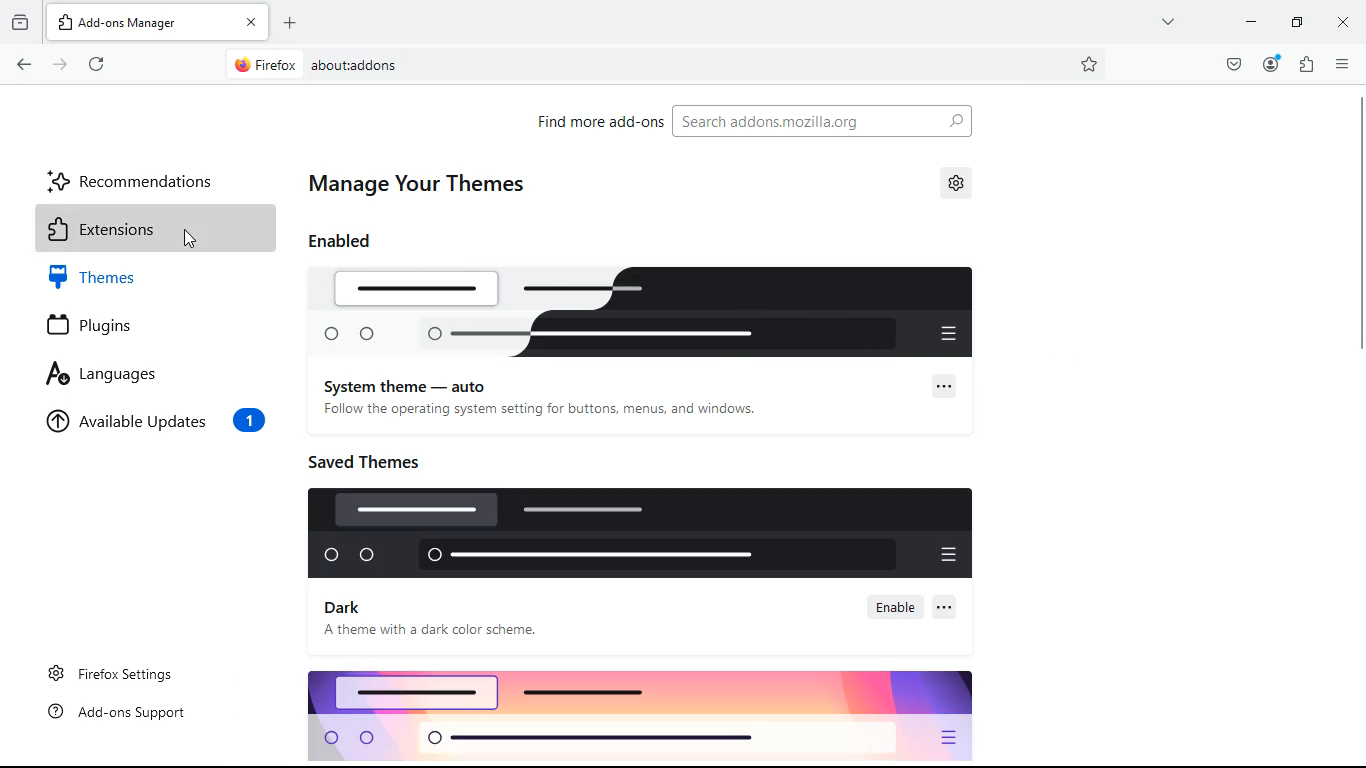  Describe the element at coordinates (945, 386) in the screenshot. I see `more` at that location.